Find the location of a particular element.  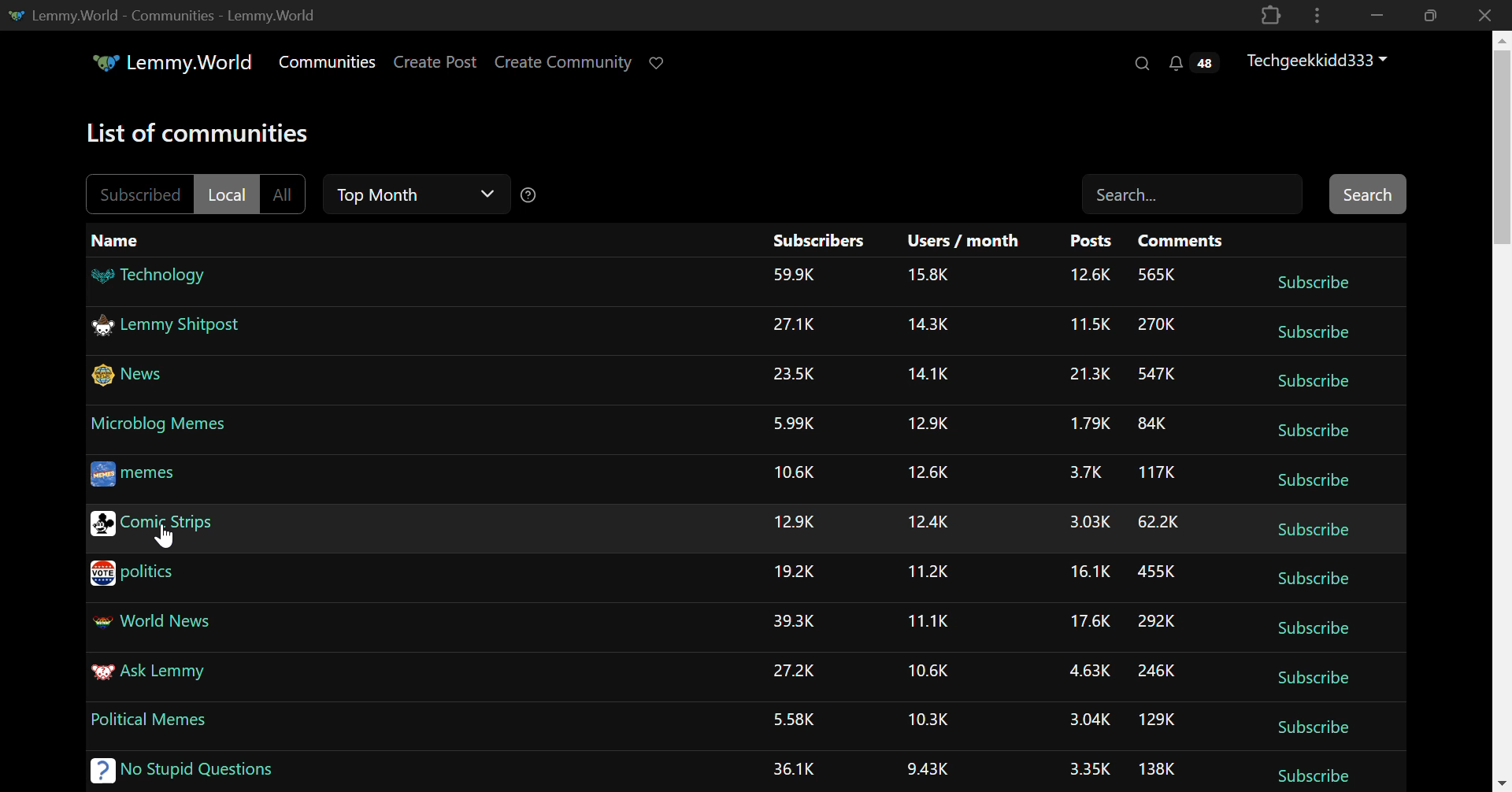

Political Memes is located at coordinates (150, 724).